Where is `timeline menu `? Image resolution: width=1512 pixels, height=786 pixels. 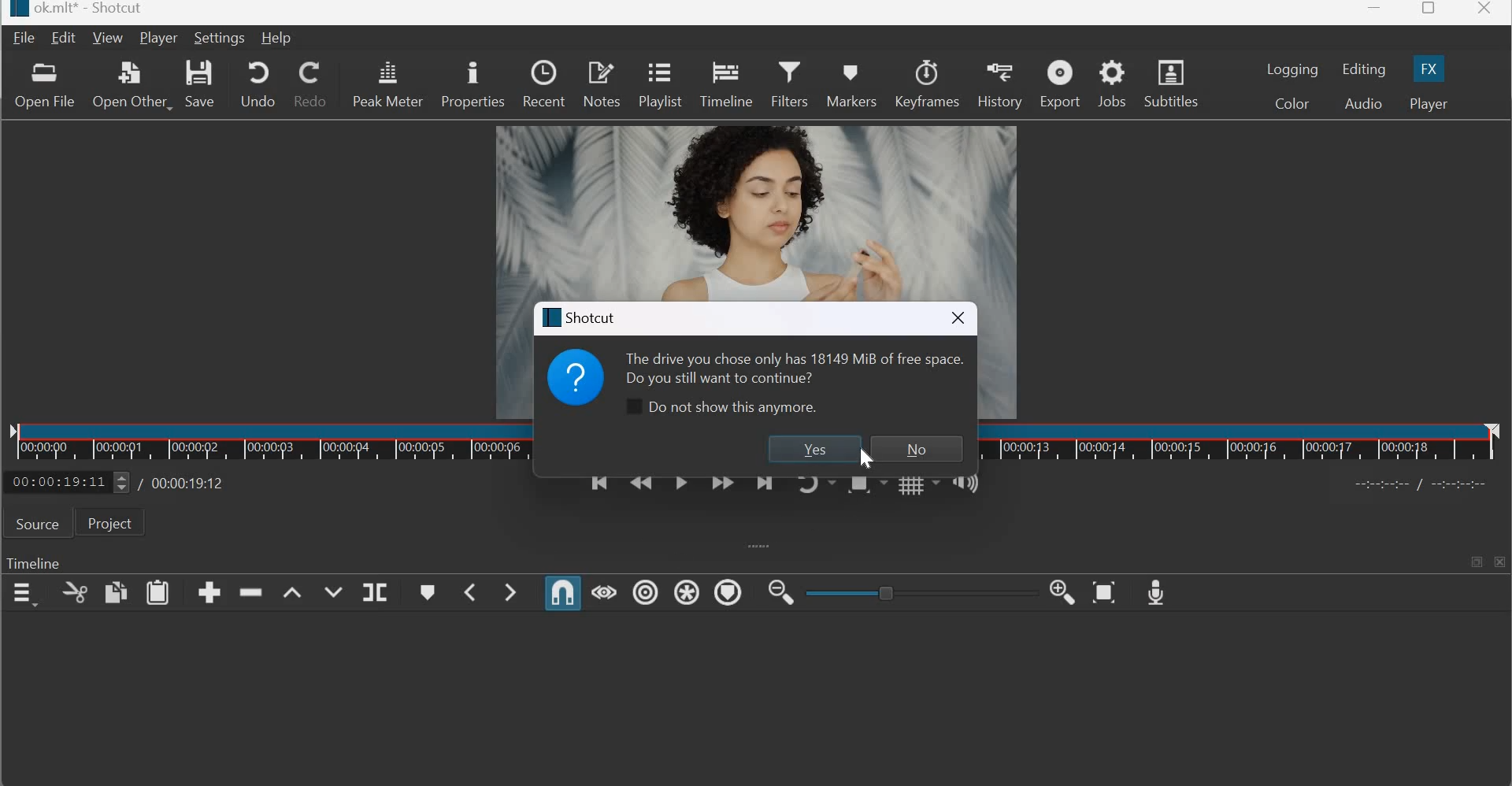
timeline menu  is located at coordinates (27, 594).